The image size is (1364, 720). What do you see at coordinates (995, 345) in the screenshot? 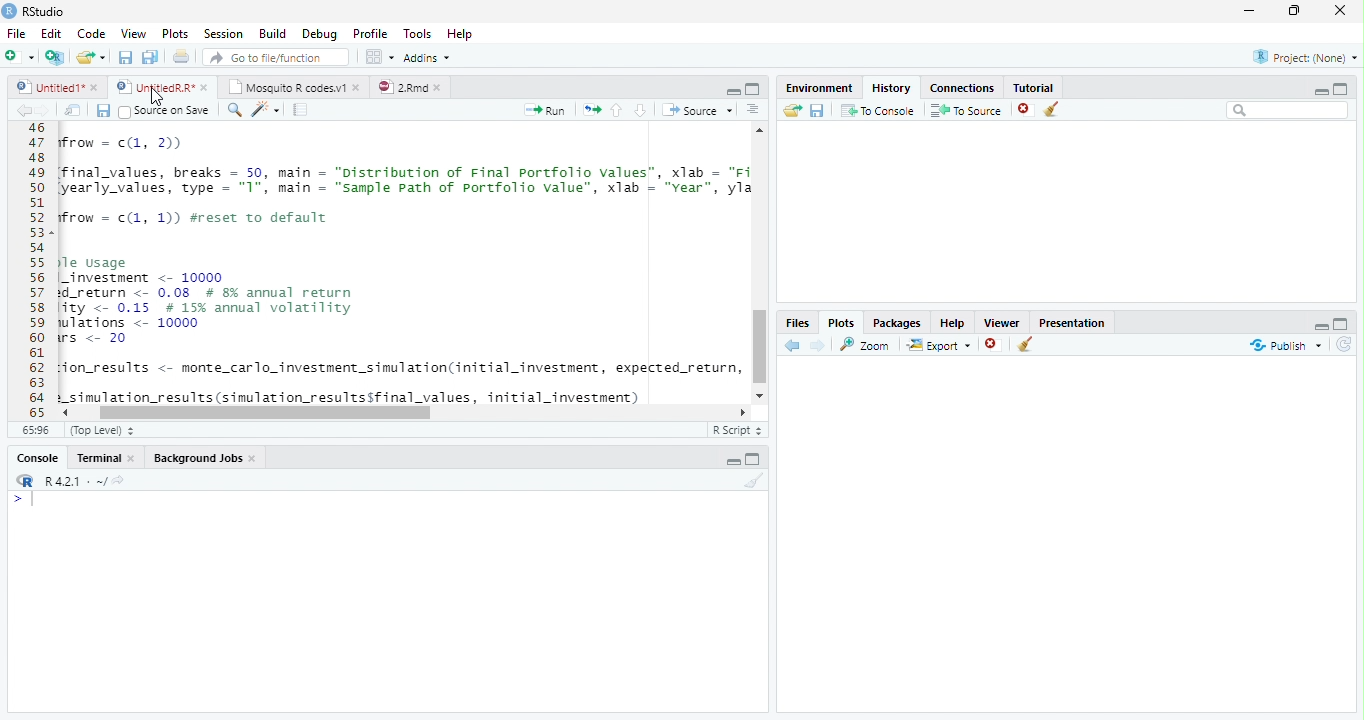
I see `Remove selected` at bounding box center [995, 345].